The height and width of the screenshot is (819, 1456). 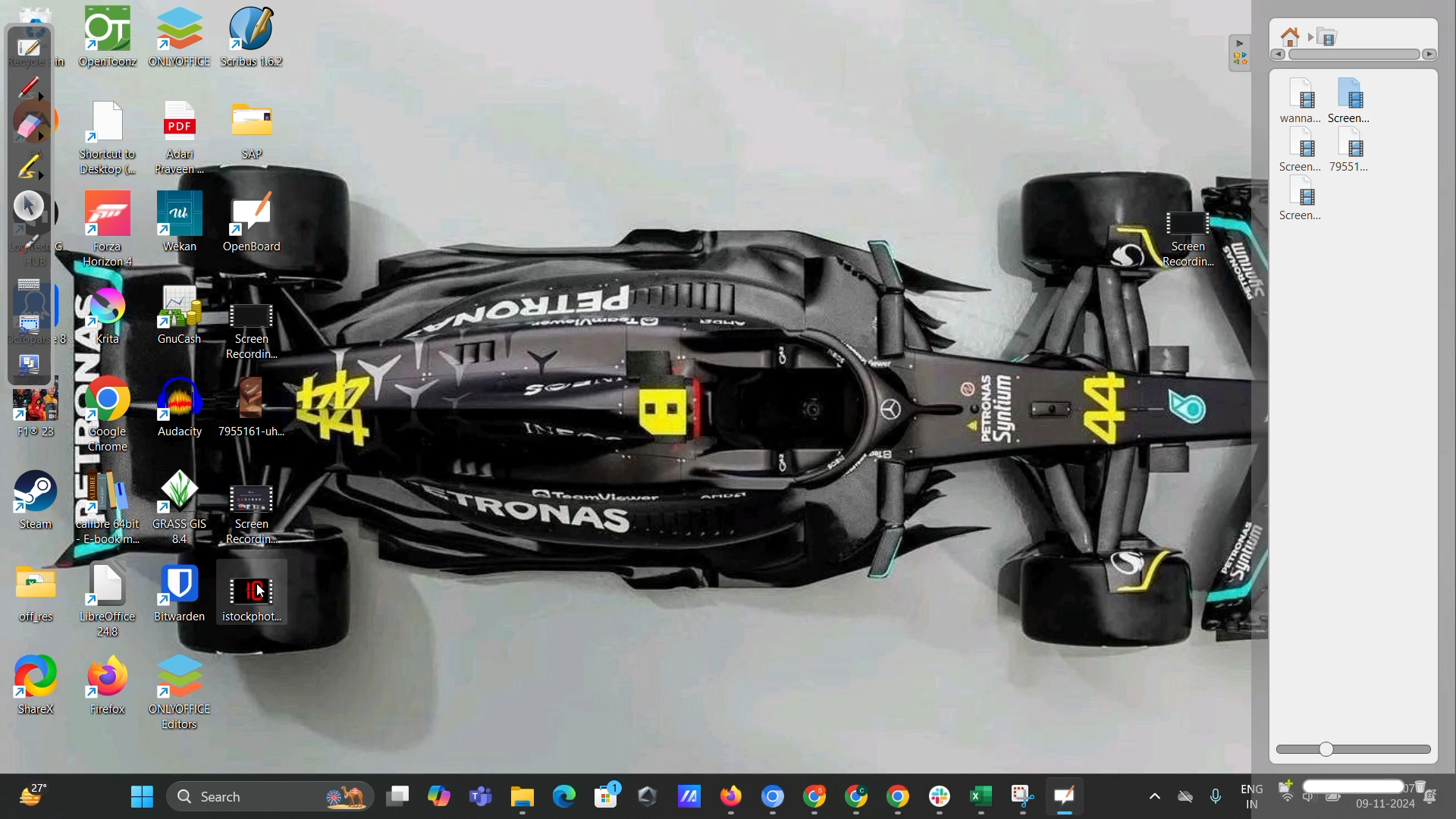 What do you see at coordinates (185, 140) in the screenshot?
I see `Adan Pravenn` at bounding box center [185, 140].